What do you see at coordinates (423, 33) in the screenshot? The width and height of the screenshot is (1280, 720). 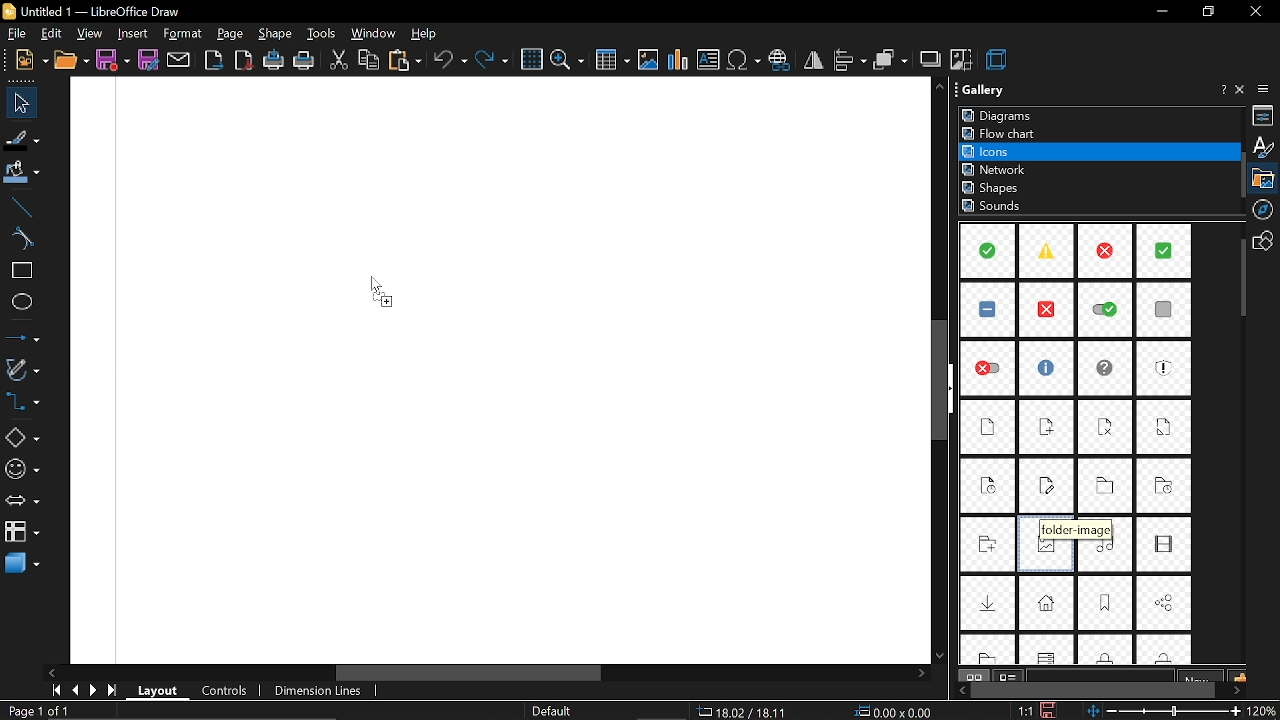 I see `help` at bounding box center [423, 33].